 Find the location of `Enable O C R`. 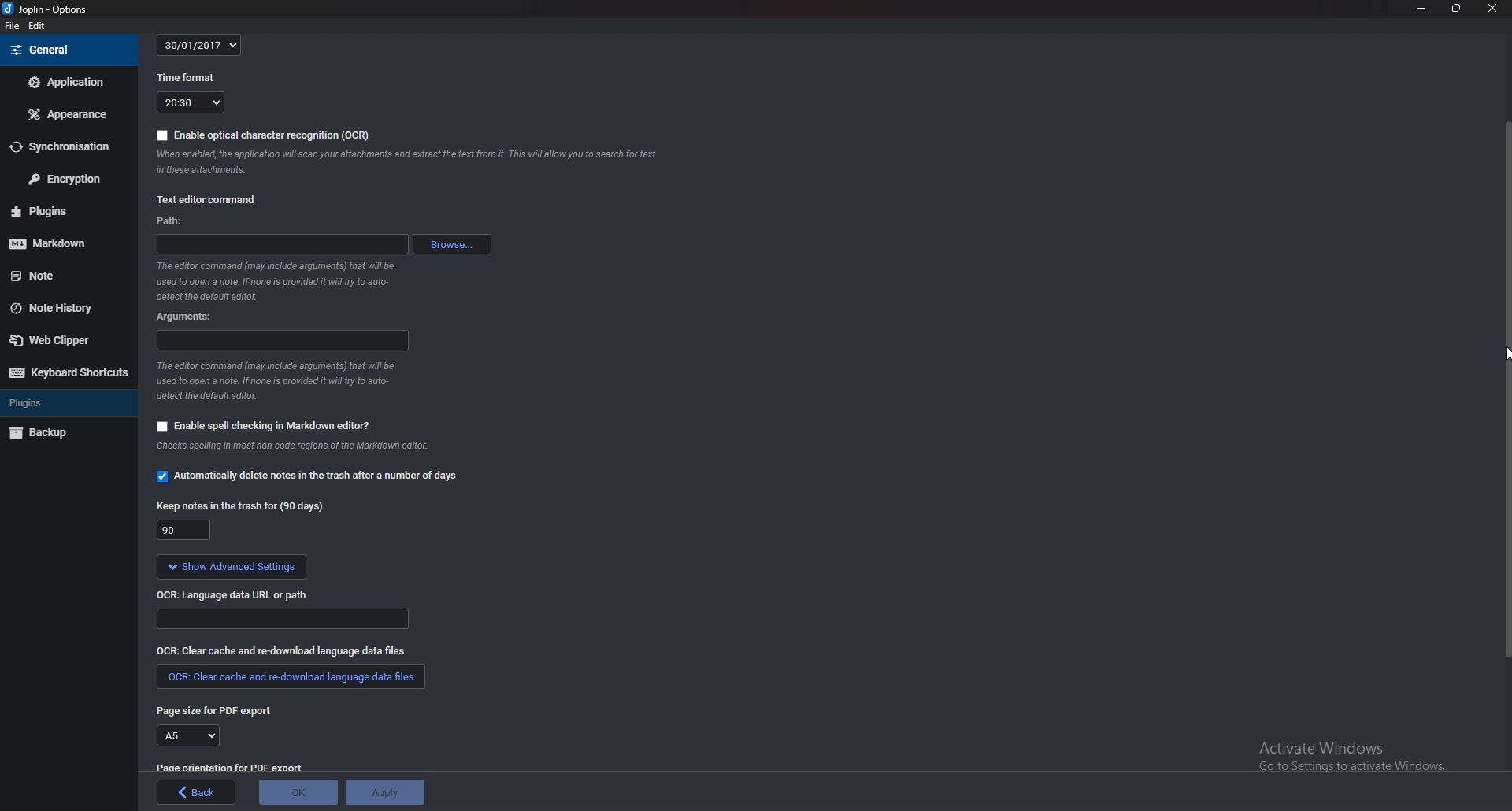

Enable O C R is located at coordinates (261, 135).